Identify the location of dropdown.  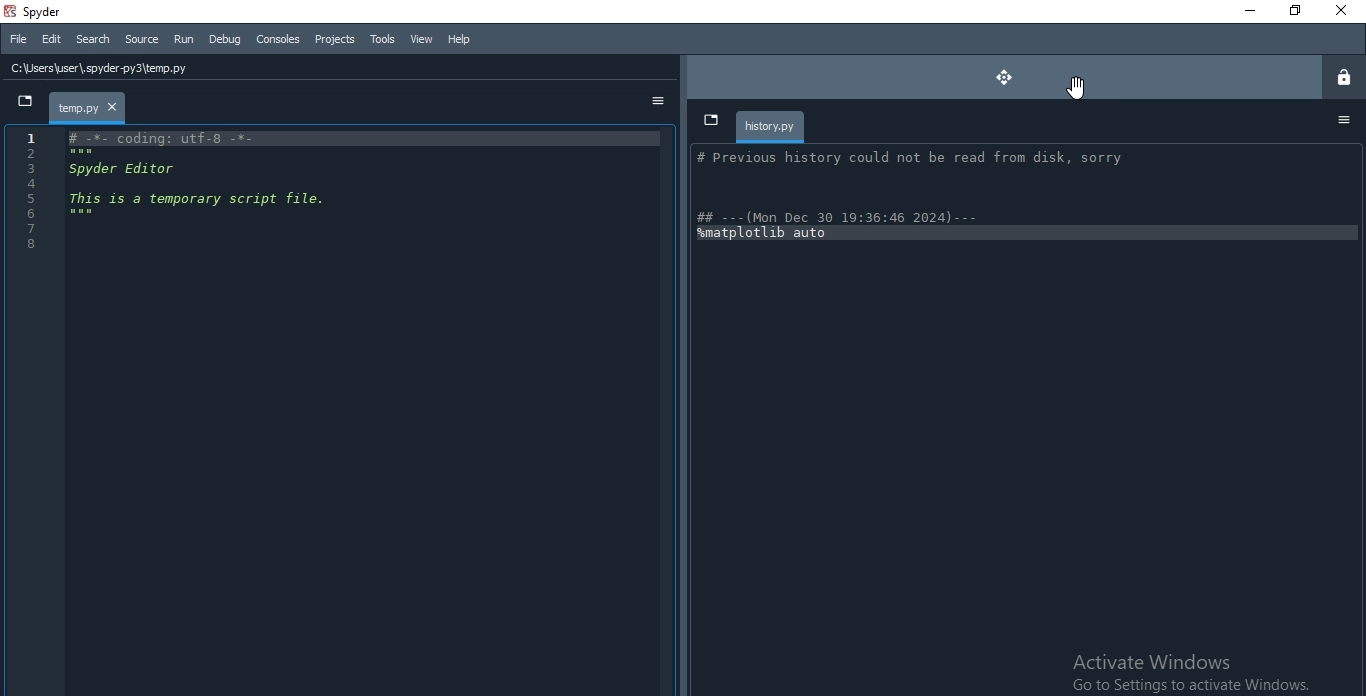
(711, 118).